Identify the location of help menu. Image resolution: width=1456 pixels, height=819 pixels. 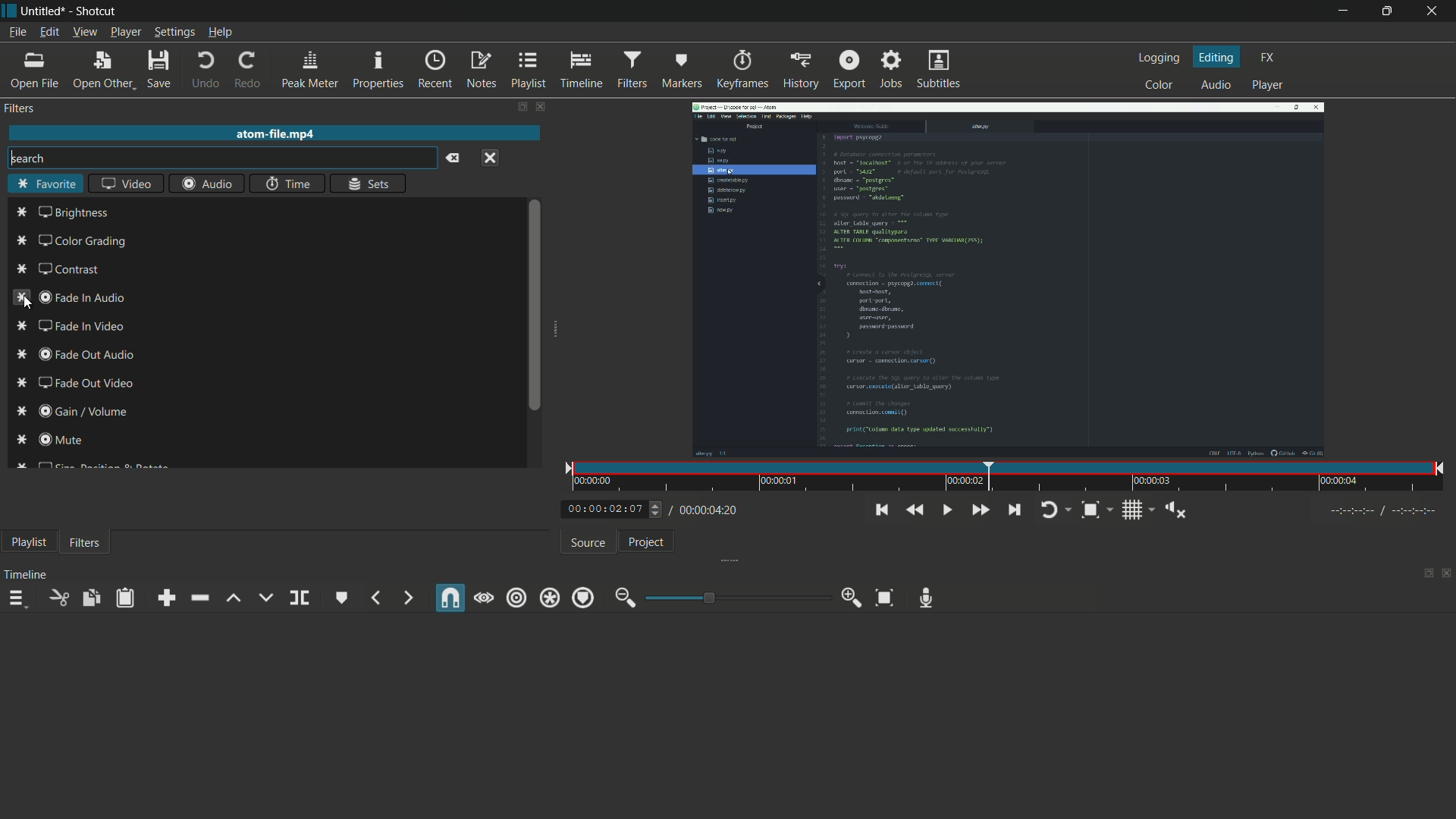
(220, 32).